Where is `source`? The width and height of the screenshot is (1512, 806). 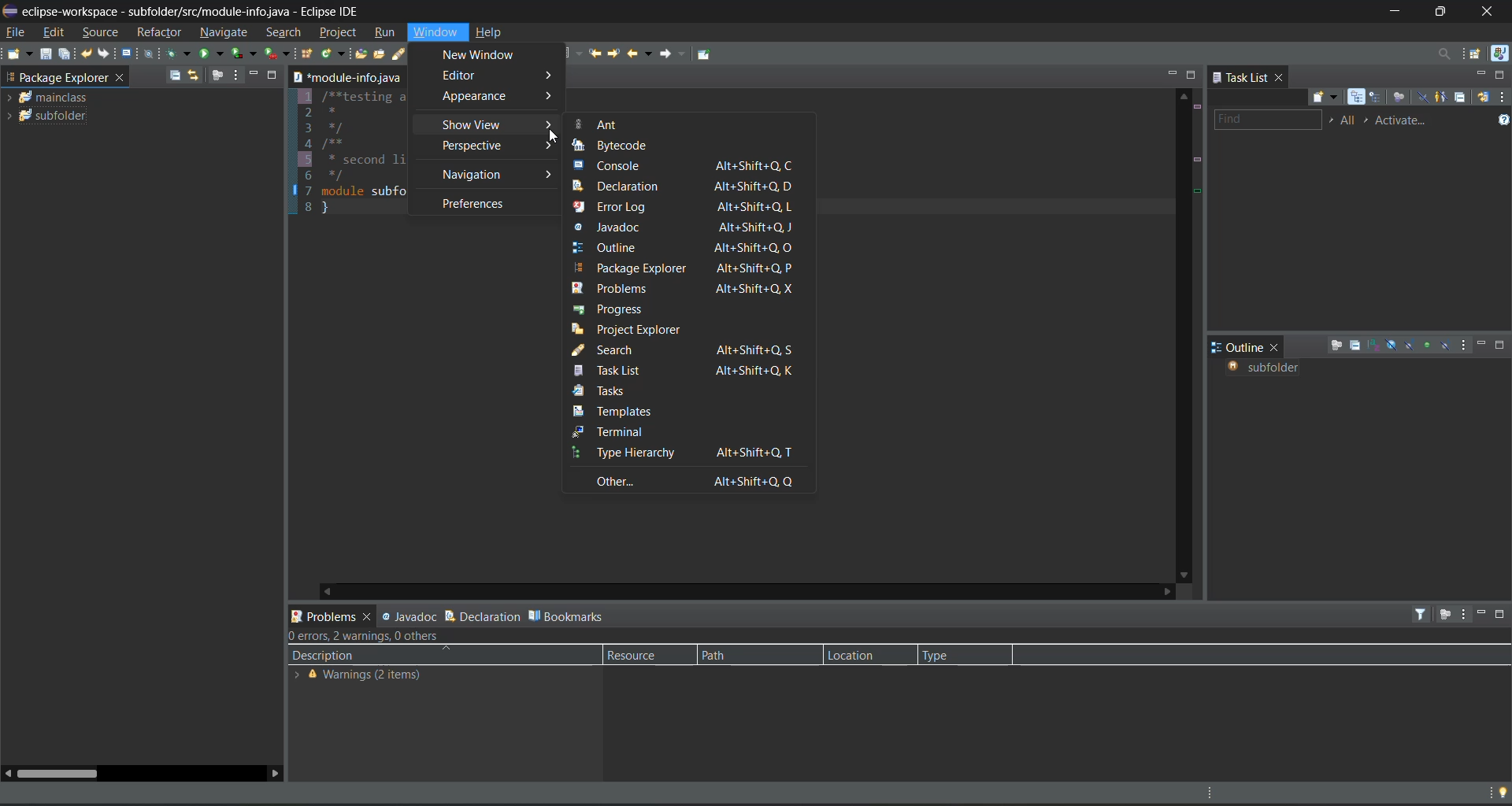
source is located at coordinates (102, 33).